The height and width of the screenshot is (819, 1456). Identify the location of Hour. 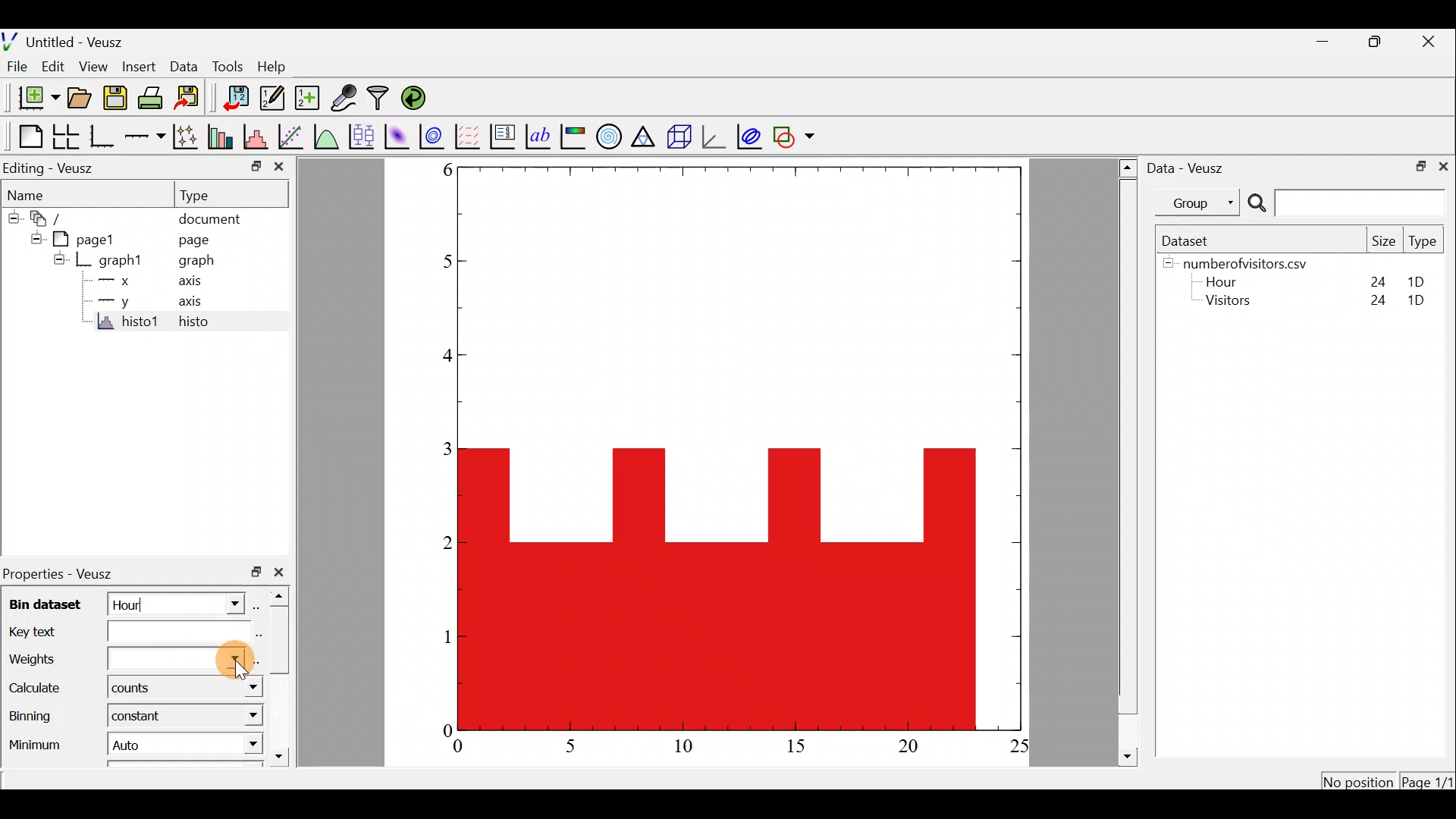
(1228, 281).